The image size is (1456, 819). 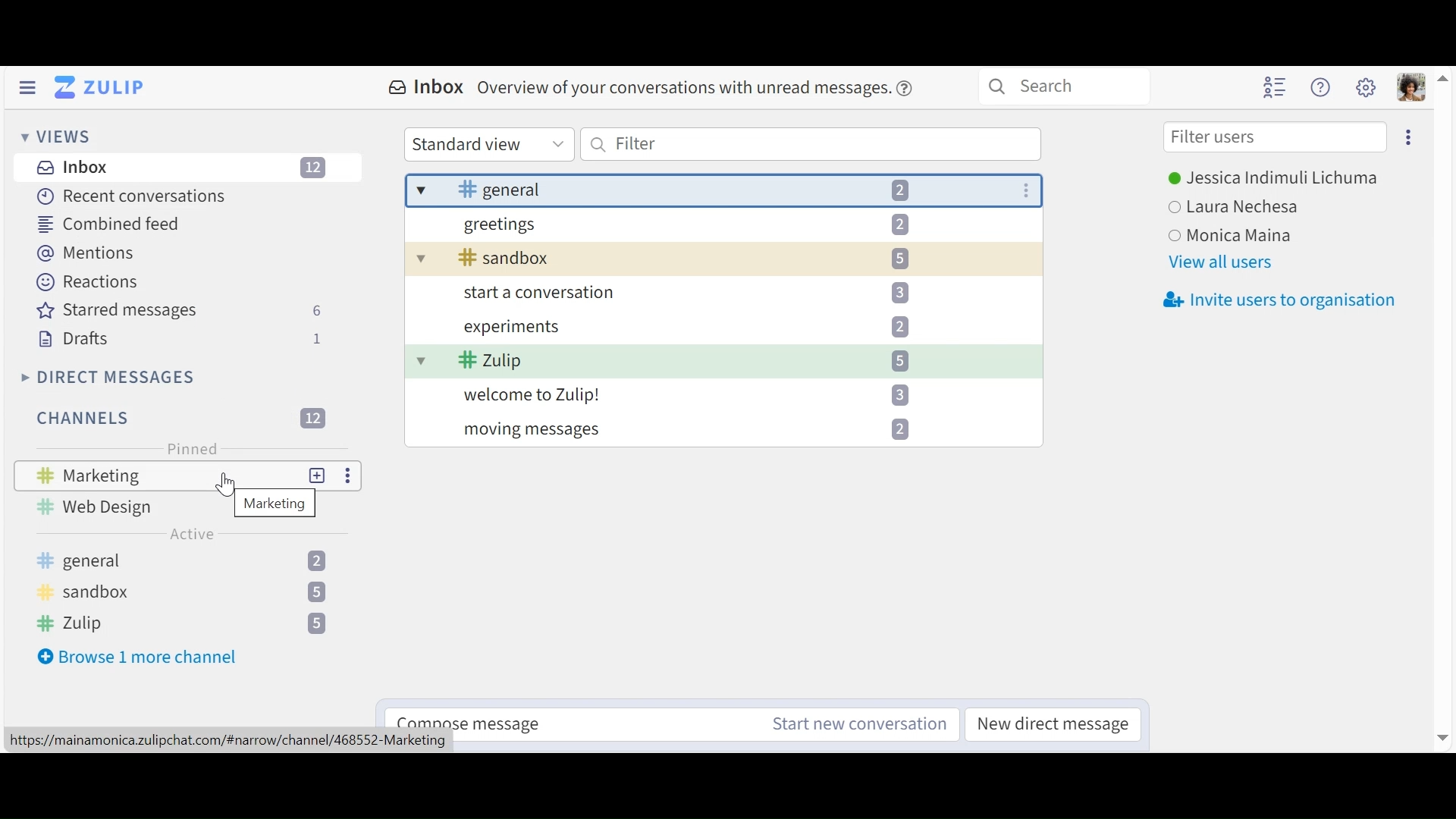 What do you see at coordinates (704, 396) in the screenshot?
I see `welcome to Zulip!` at bounding box center [704, 396].